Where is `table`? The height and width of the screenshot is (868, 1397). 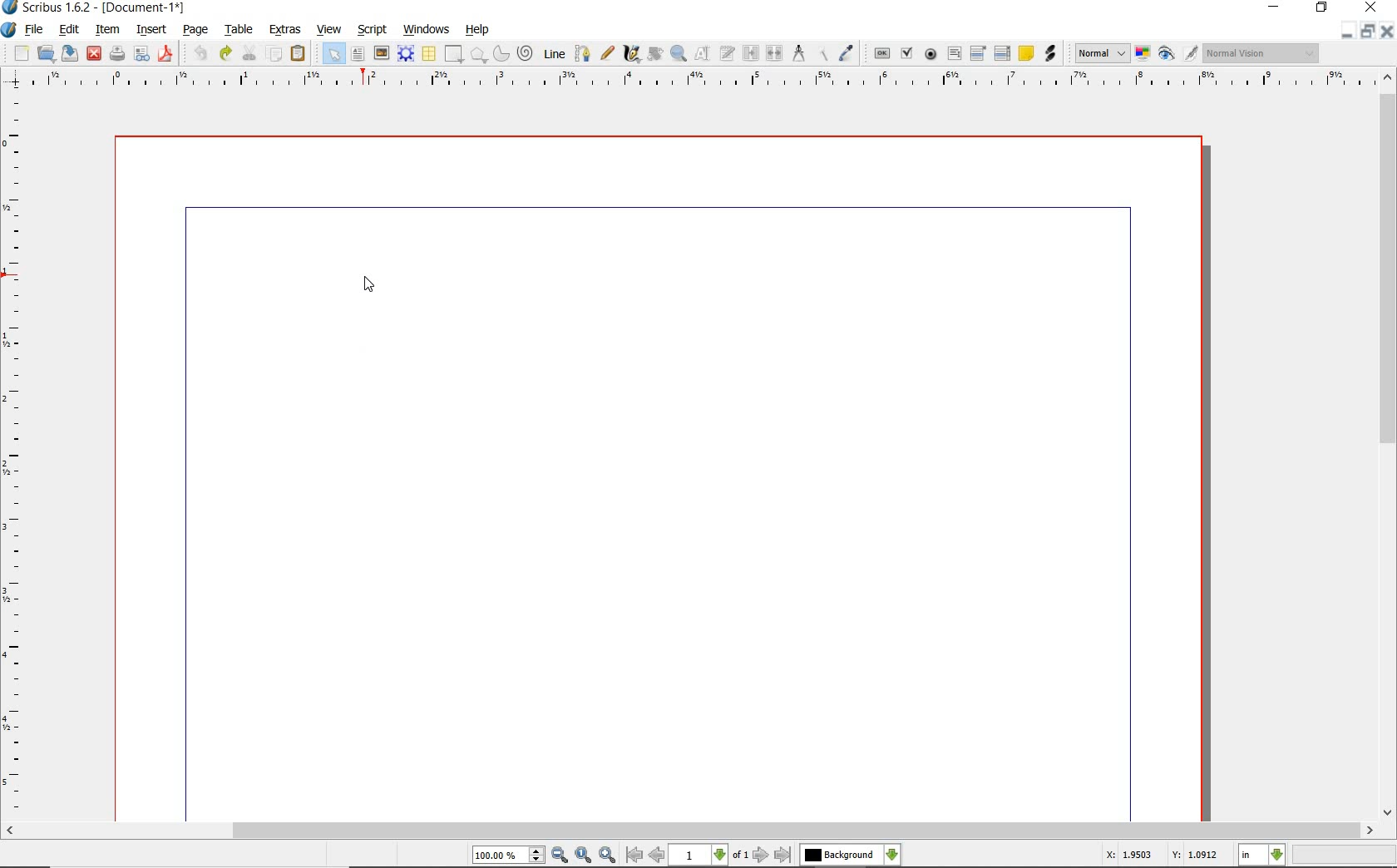 table is located at coordinates (430, 55).